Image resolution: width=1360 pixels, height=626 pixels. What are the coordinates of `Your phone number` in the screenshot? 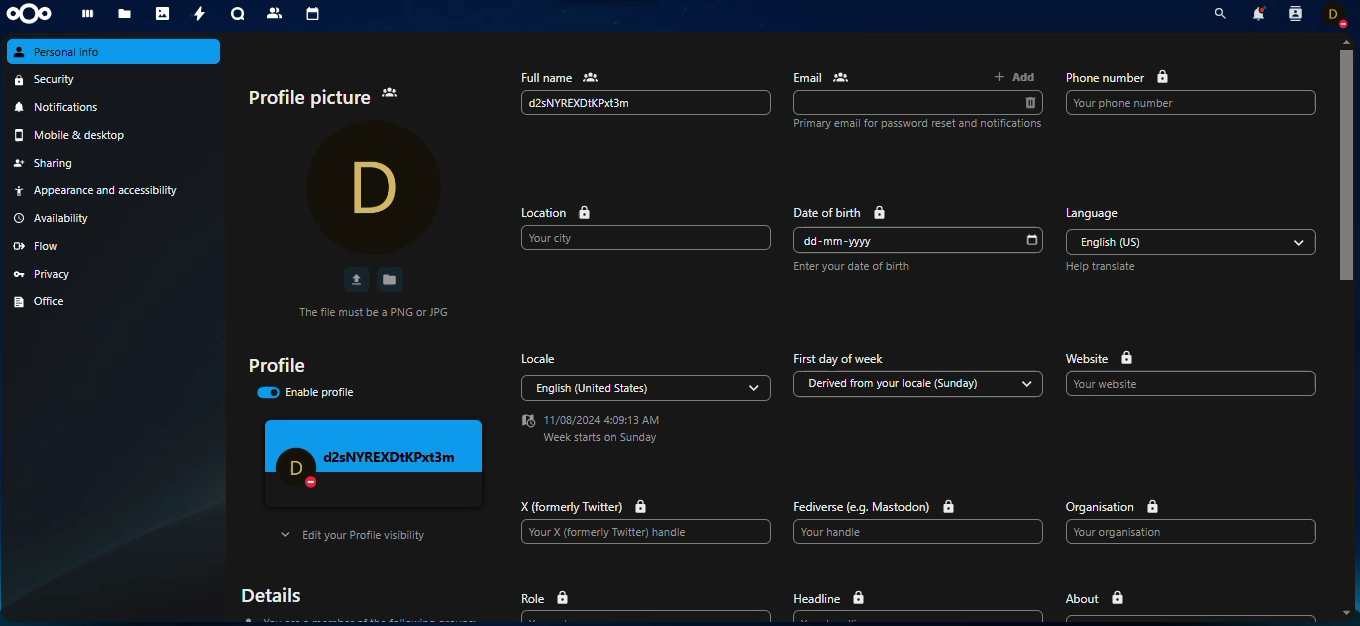 It's located at (1190, 102).